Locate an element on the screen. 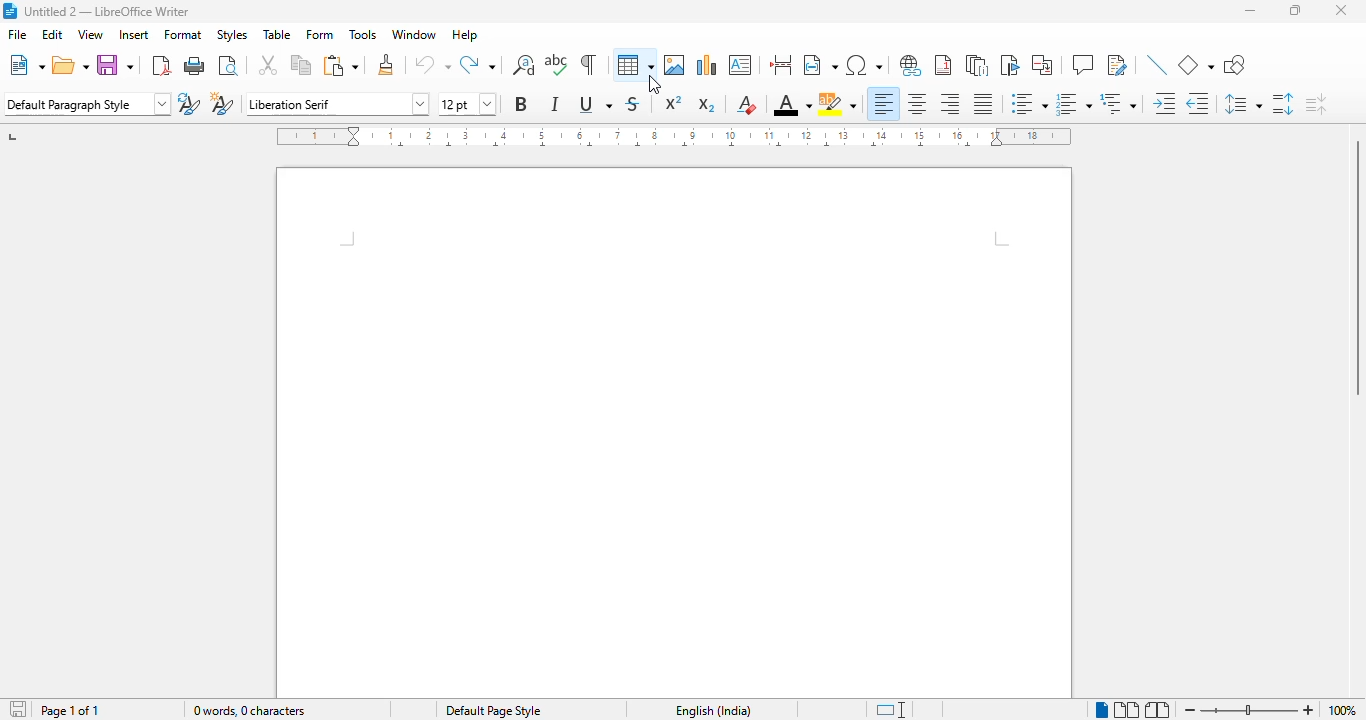 This screenshot has height=720, width=1366. maximize is located at coordinates (1297, 10).